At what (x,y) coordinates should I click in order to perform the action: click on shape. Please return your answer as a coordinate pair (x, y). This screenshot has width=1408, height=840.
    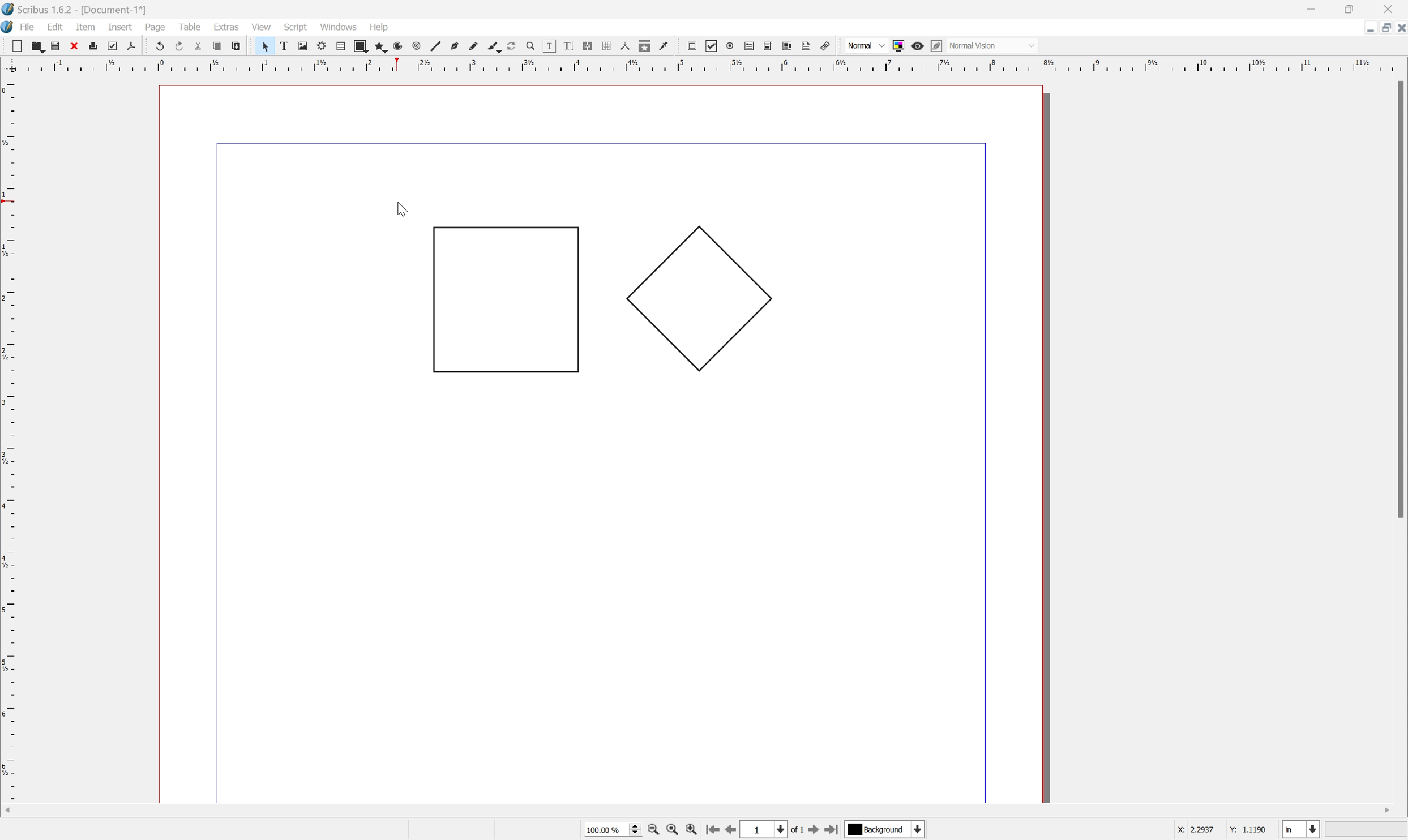
    Looking at the image, I should click on (359, 46).